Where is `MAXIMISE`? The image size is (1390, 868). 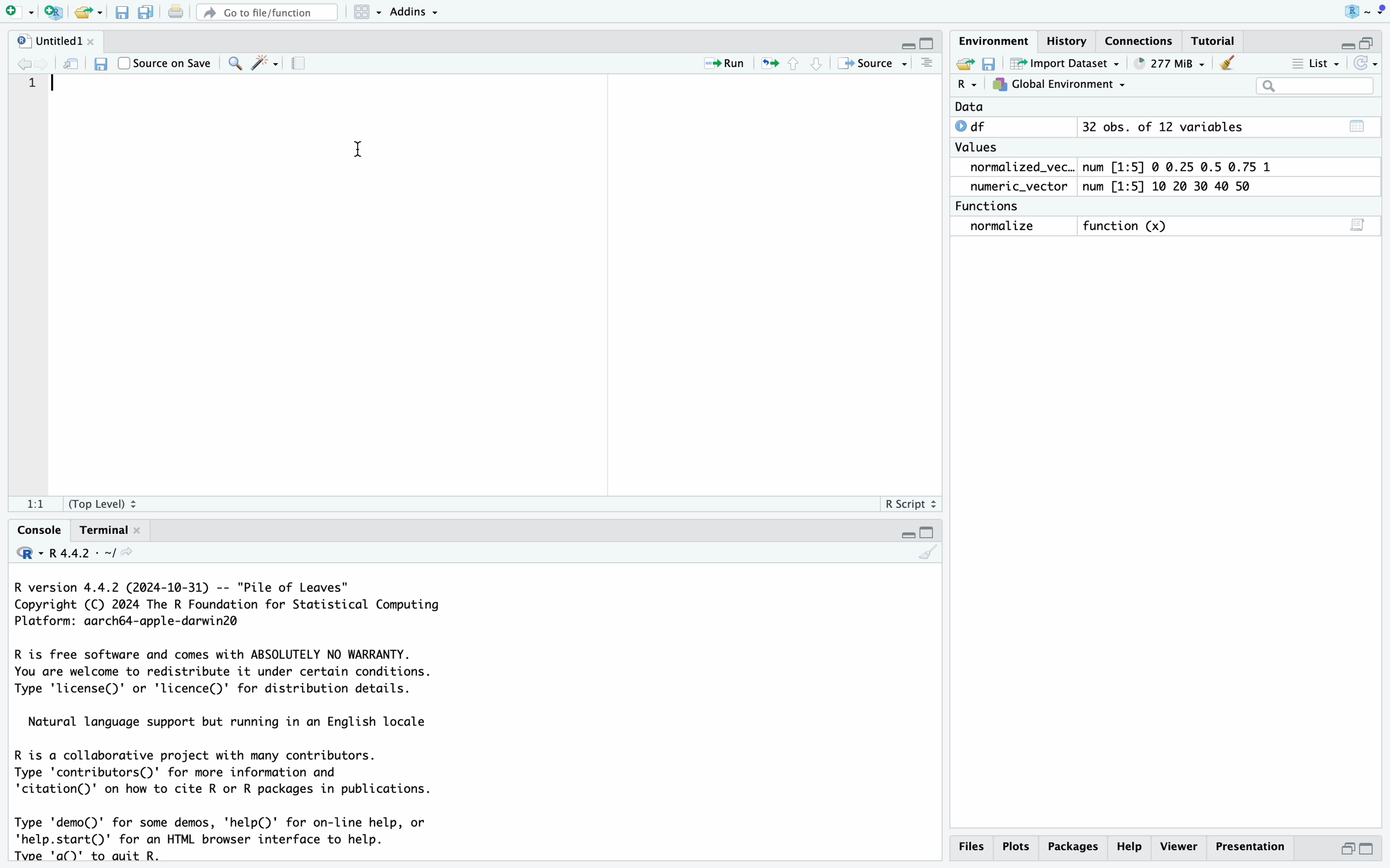 MAXIMISE is located at coordinates (928, 44).